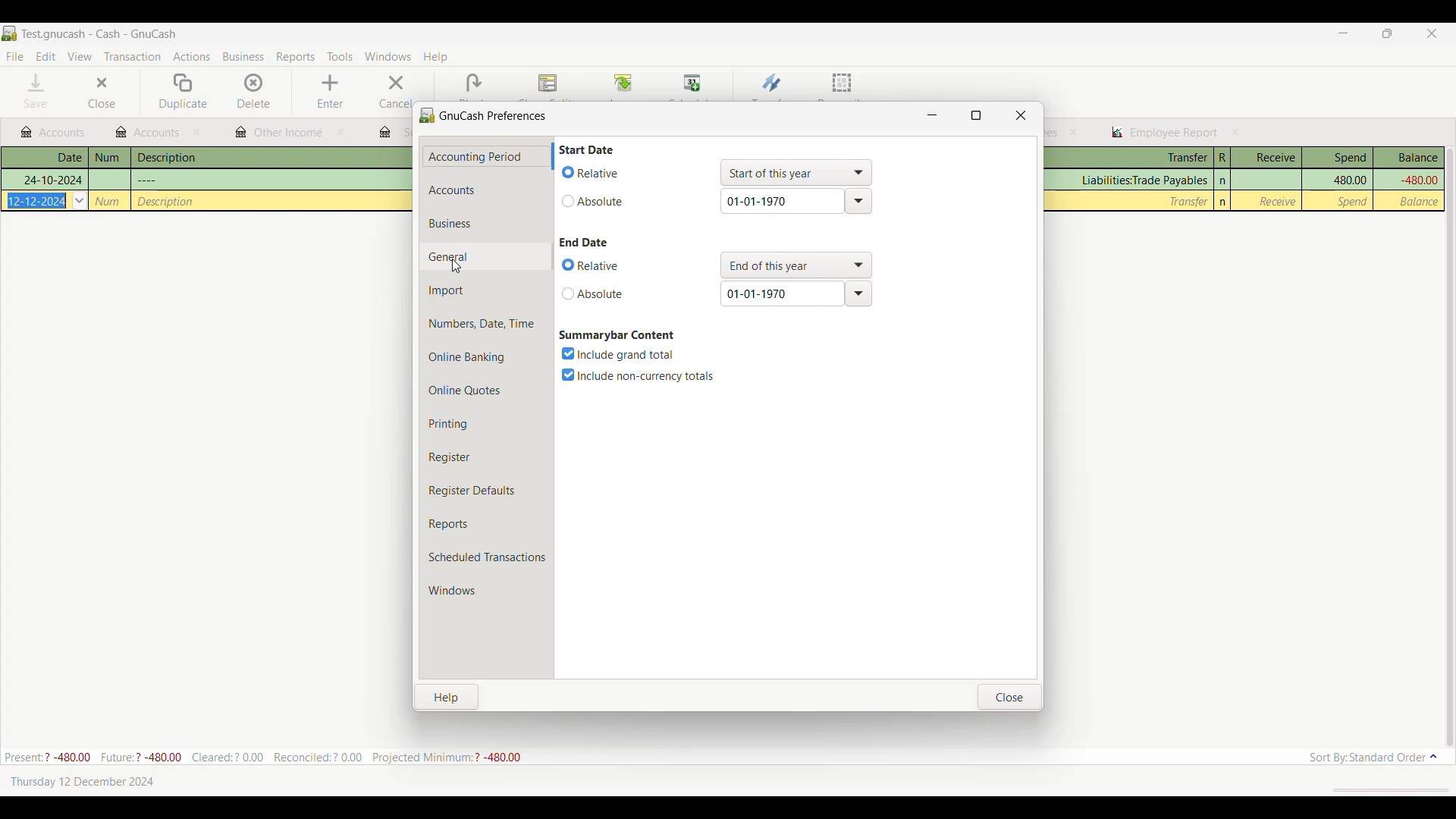 This screenshot has height=819, width=1456. I want to click on Spend column, so click(1338, 158).